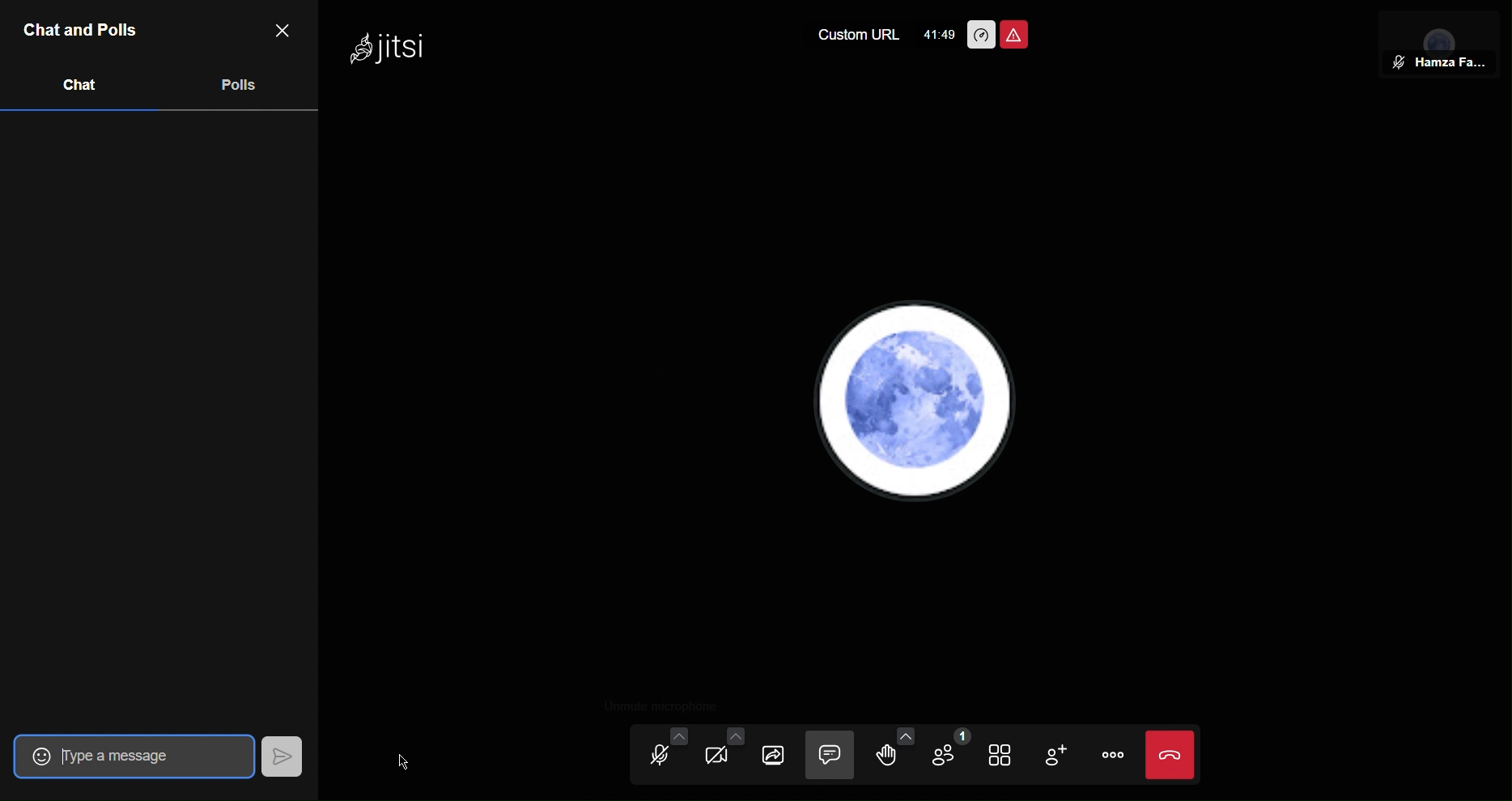  I want to click on Cursor, so click(389, 763).